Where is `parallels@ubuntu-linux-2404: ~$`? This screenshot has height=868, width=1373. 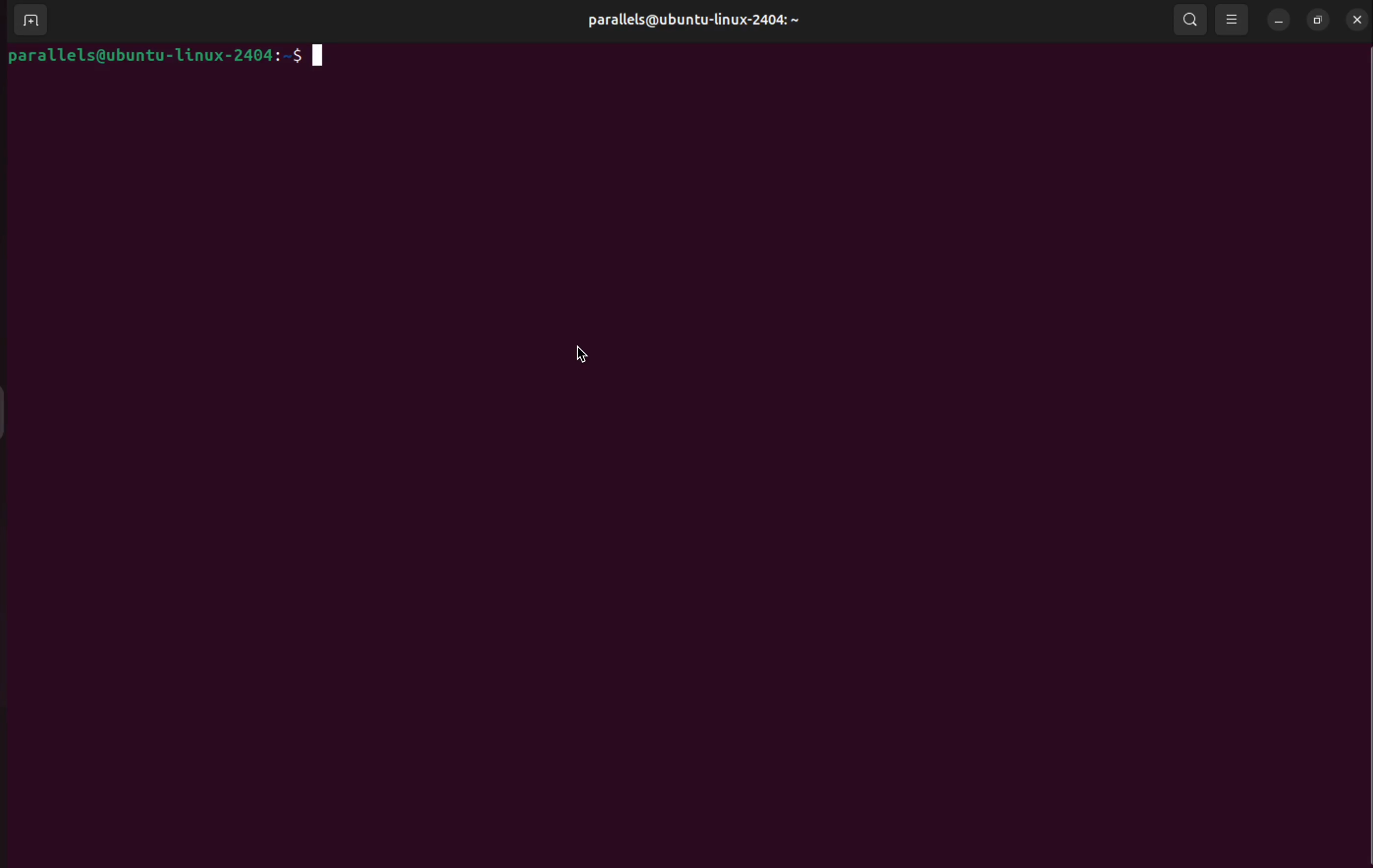 parallels@ubuntu-linux-2404: ~$ is located at coordinates (167, 59).